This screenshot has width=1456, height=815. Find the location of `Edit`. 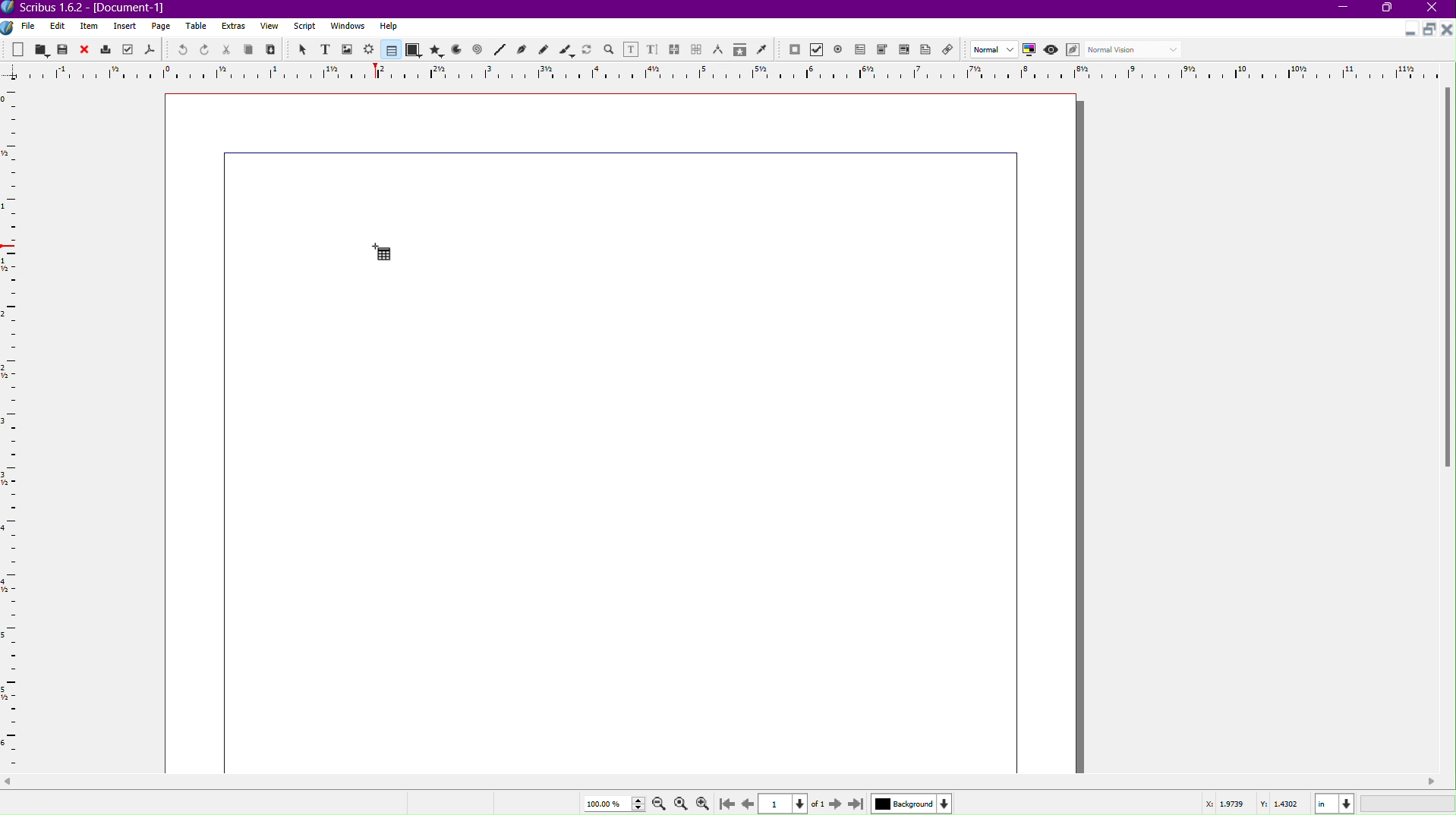

Edit is located at coordinates (57, 26).